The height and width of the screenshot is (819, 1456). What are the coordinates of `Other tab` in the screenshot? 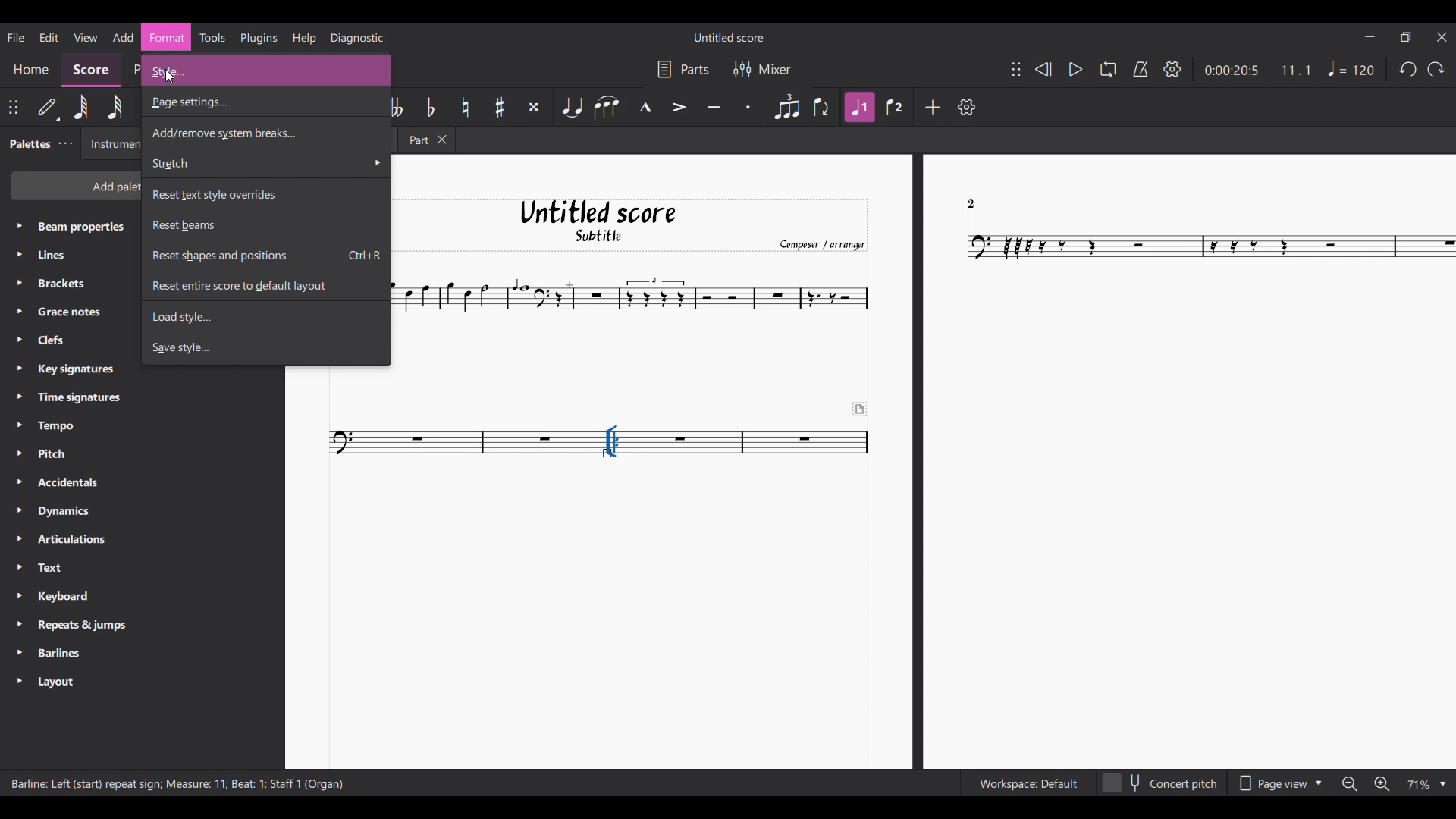 It's located at (426, 140).